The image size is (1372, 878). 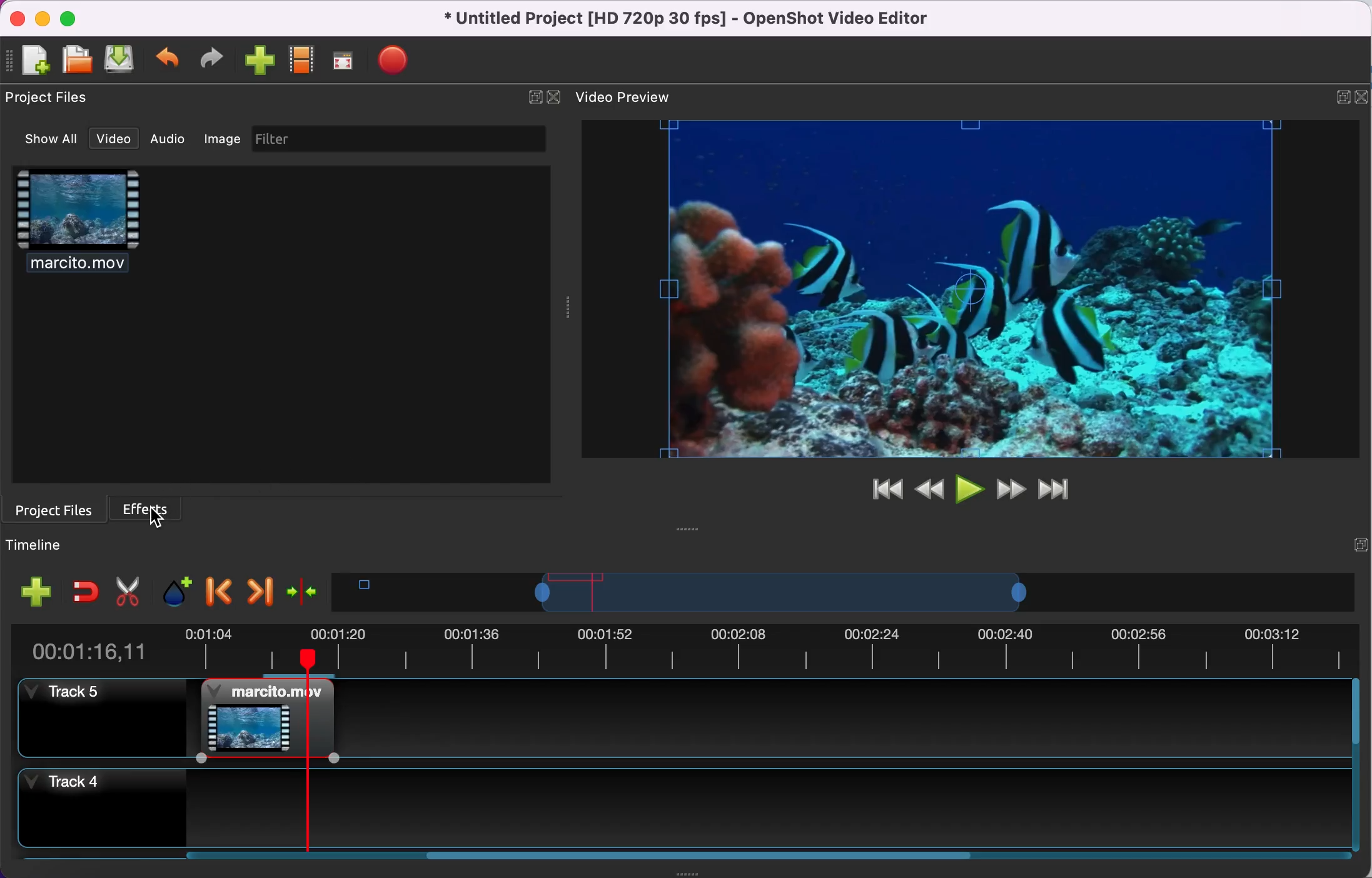 What do you see at coordinates (219, 139) in the screenshot?
I see `image` at bounding box center [219, 139].